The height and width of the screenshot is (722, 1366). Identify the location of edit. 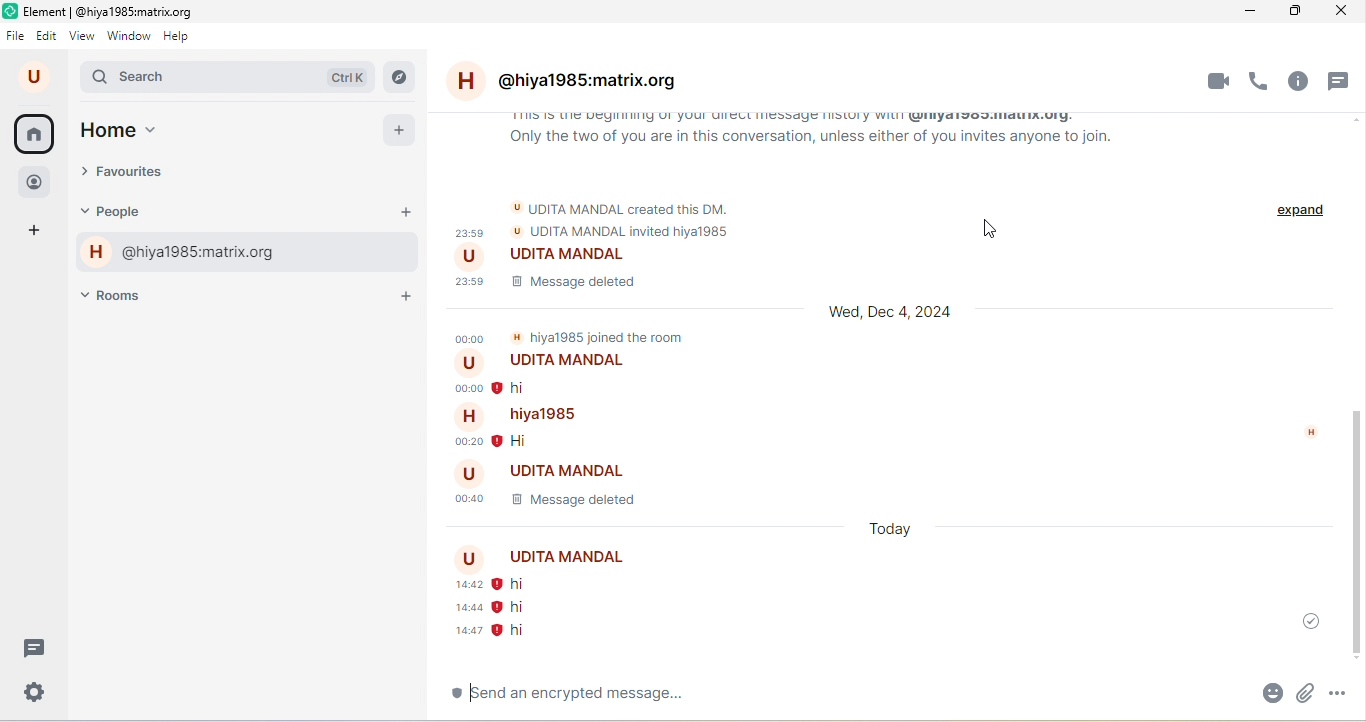
(48, 37).